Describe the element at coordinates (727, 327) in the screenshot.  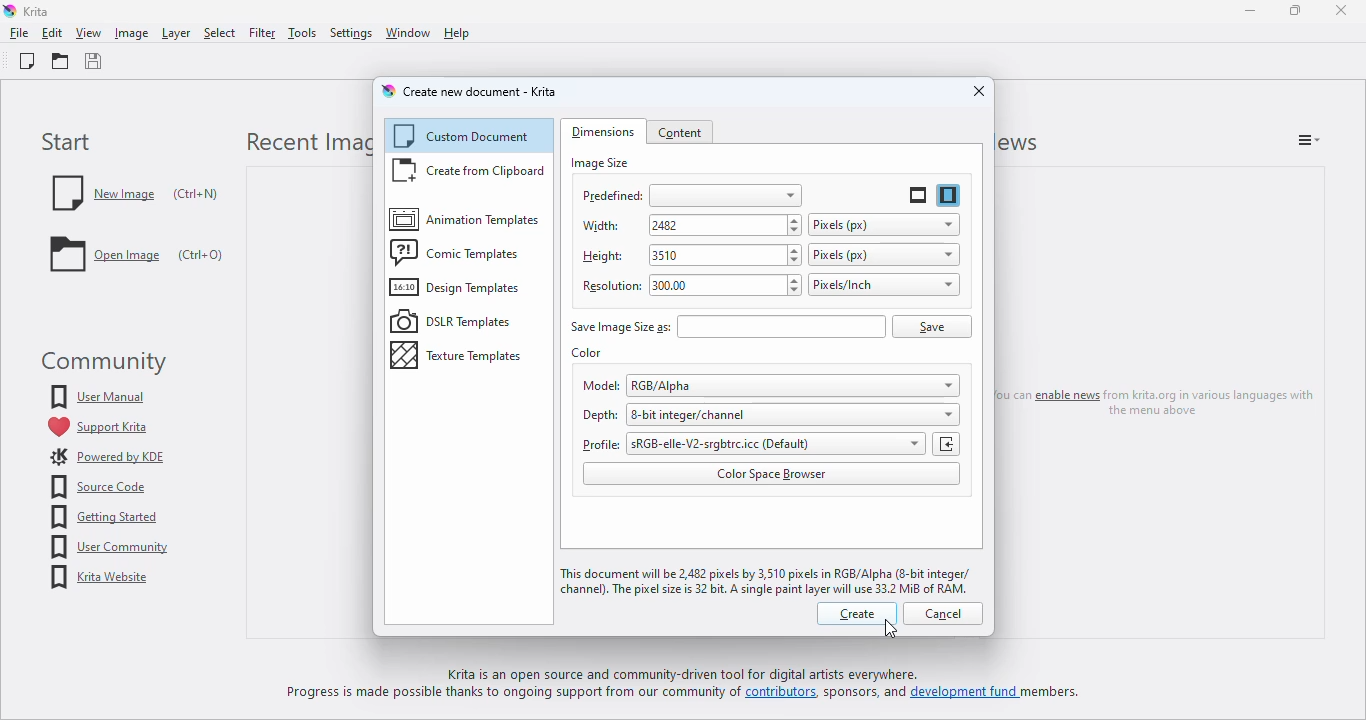
I see `save image size as:` at that location.